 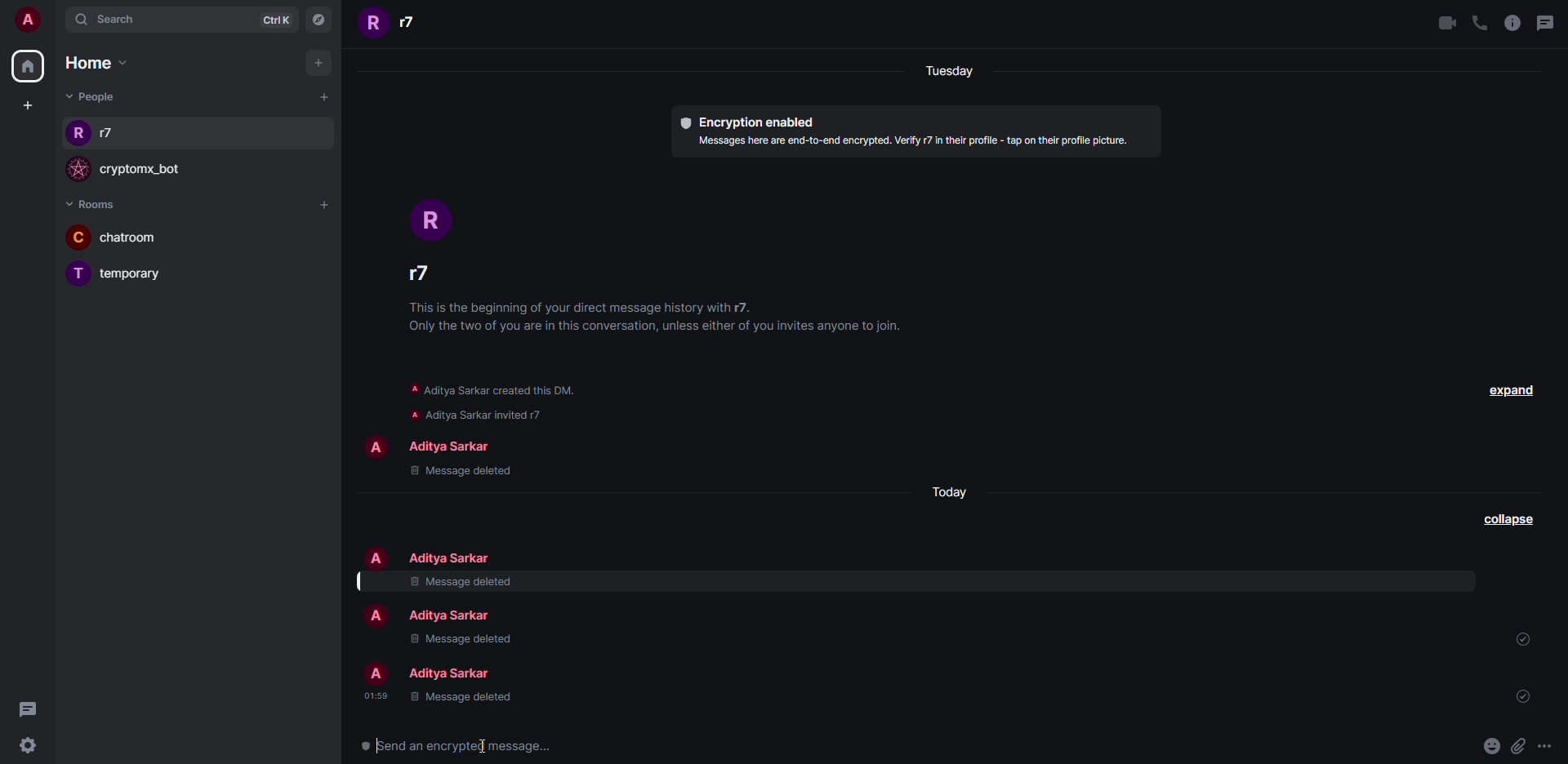 What do you see at coordinates (97, 204) in the screenshot?
I see `rooms` at bounding box center [97, 204].